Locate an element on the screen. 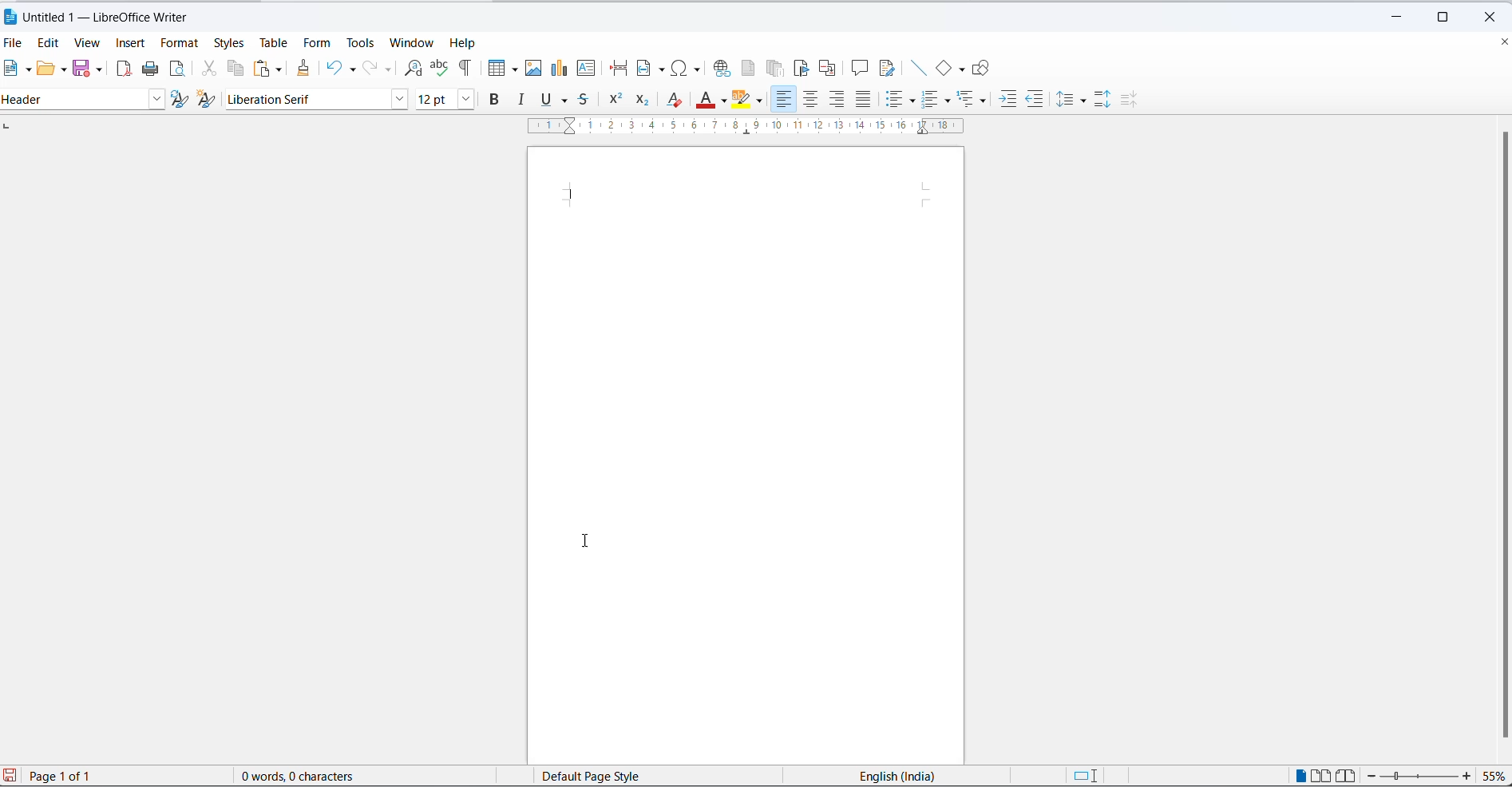 The height and width of the screenshot is (787, 1512). Page 1 of 1 is located at coordinates (86, 776).